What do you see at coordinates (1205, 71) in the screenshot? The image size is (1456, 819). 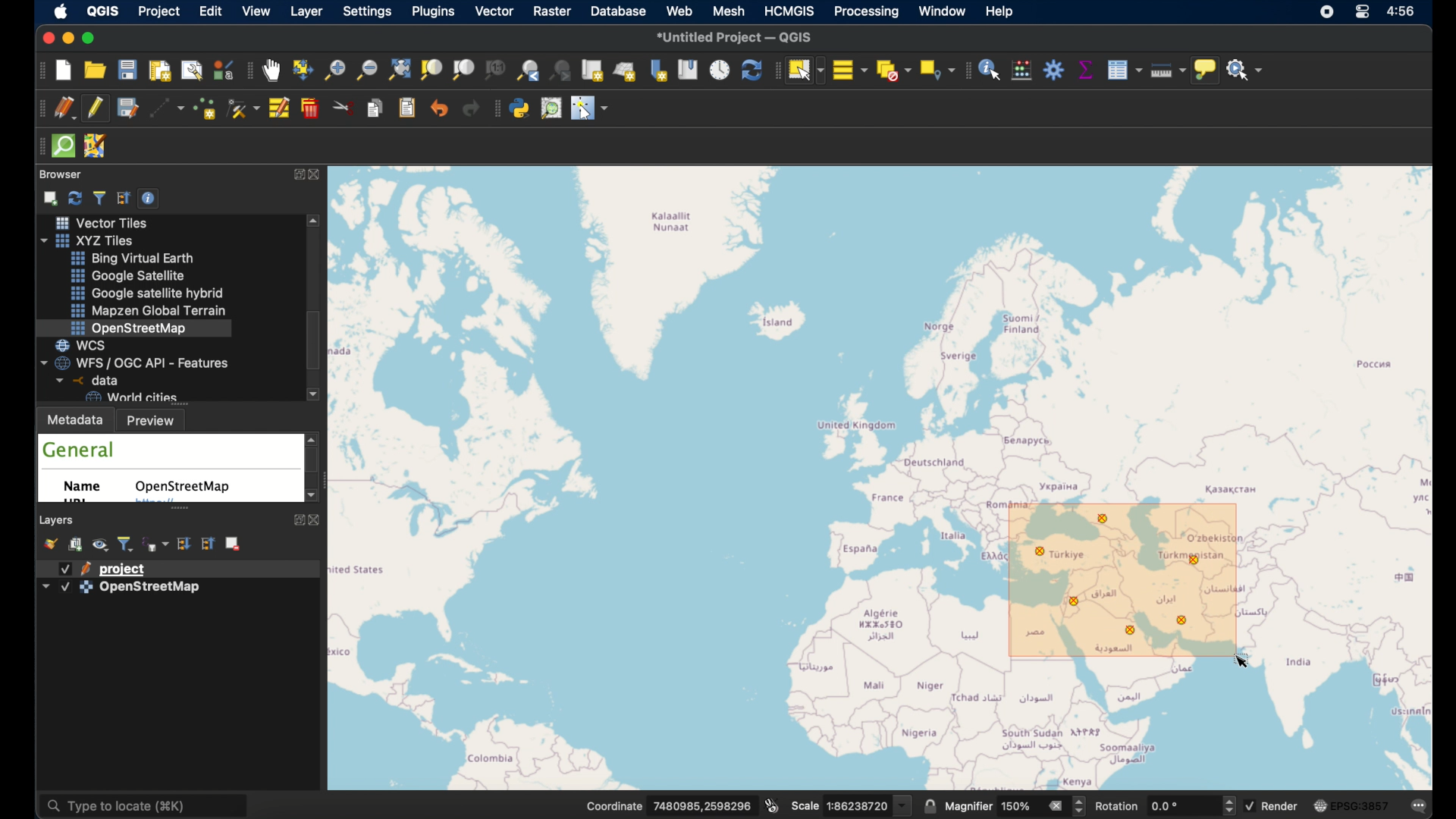 I see `show map tips` at bounding box center [1205, 71].